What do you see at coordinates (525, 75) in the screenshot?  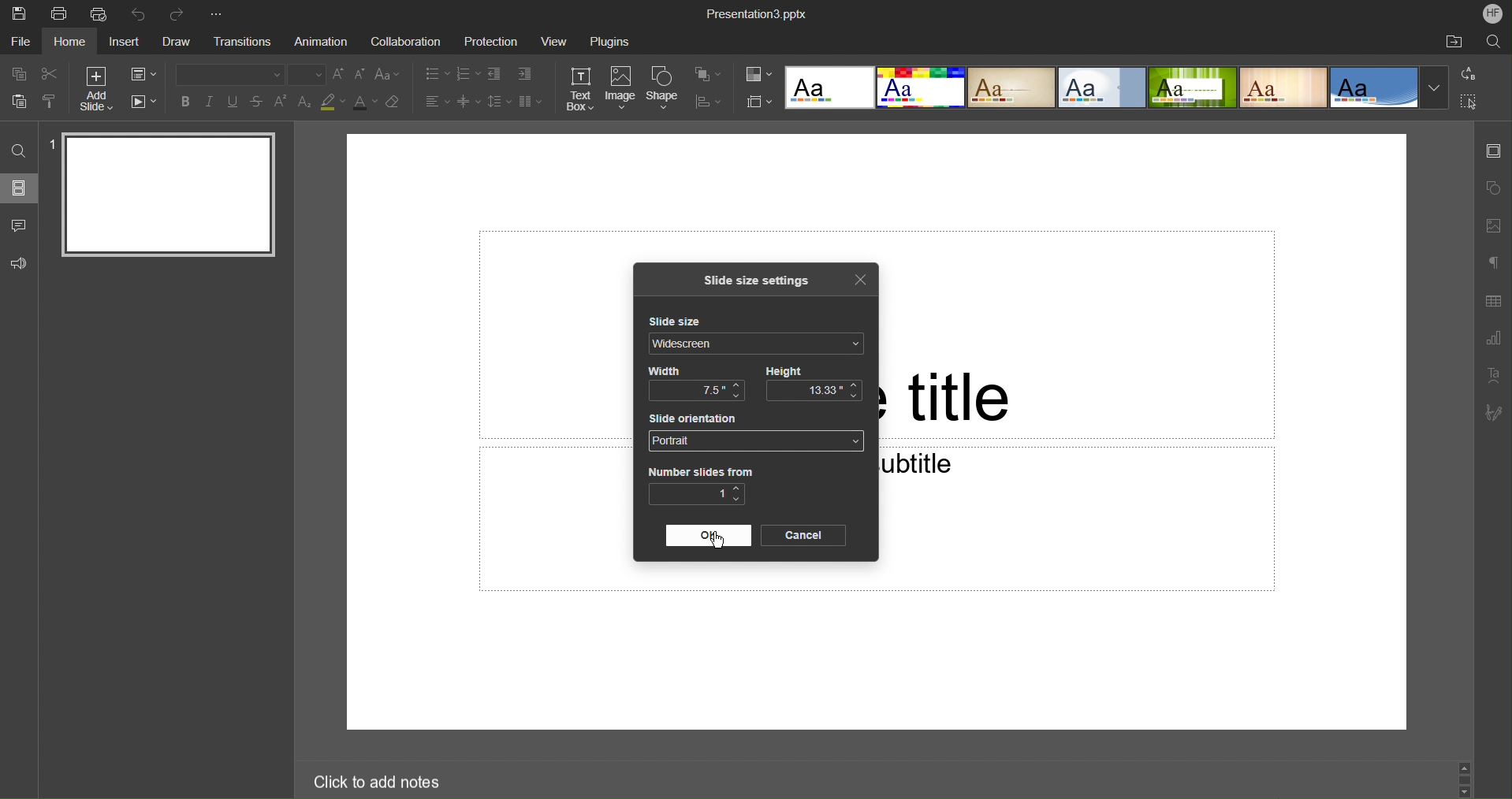 I see `Increase Indent` at bounding box center [525, 75].